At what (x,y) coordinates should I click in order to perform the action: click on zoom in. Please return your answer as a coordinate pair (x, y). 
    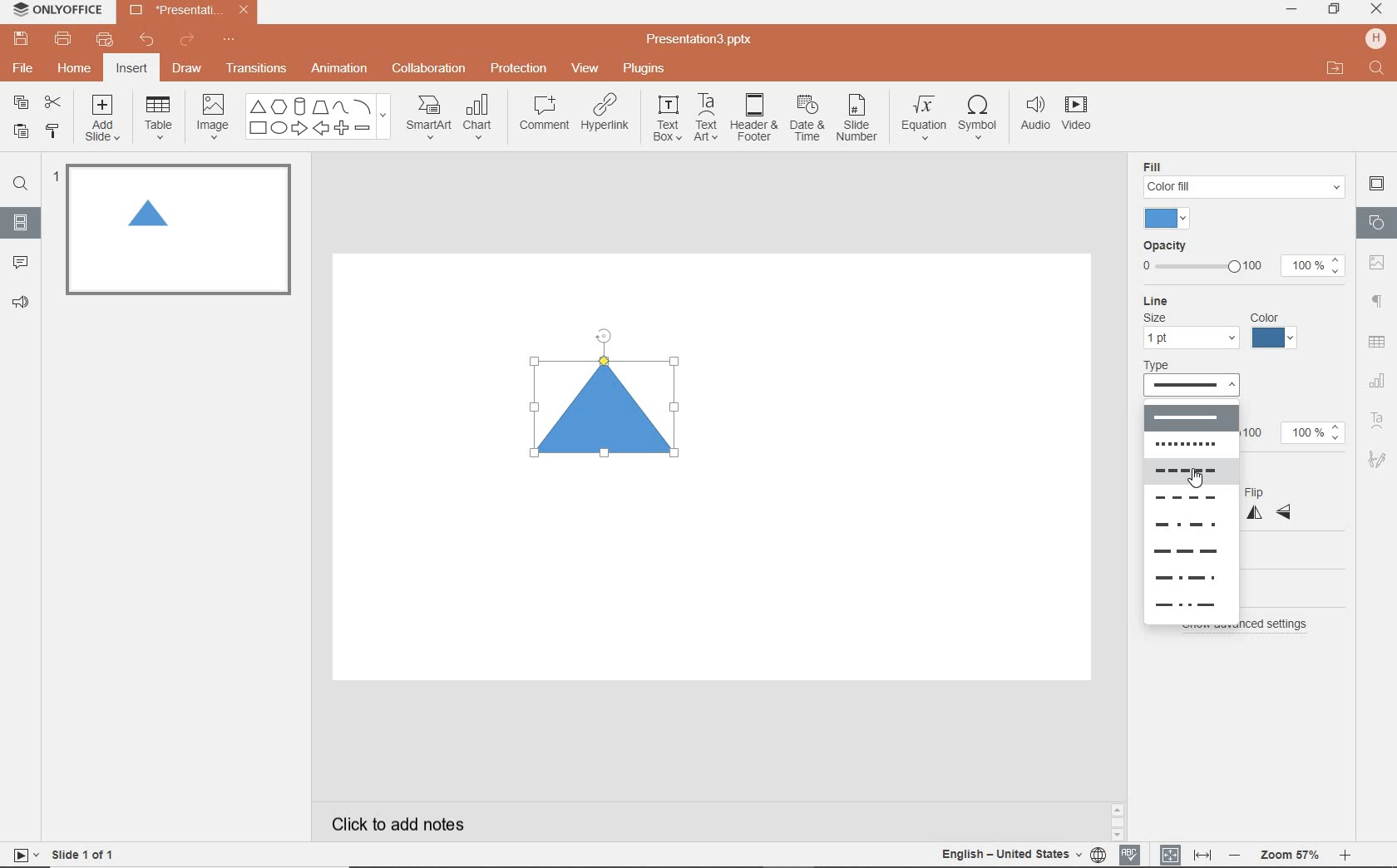
    Looking at the image, I should click on (1345, 857).